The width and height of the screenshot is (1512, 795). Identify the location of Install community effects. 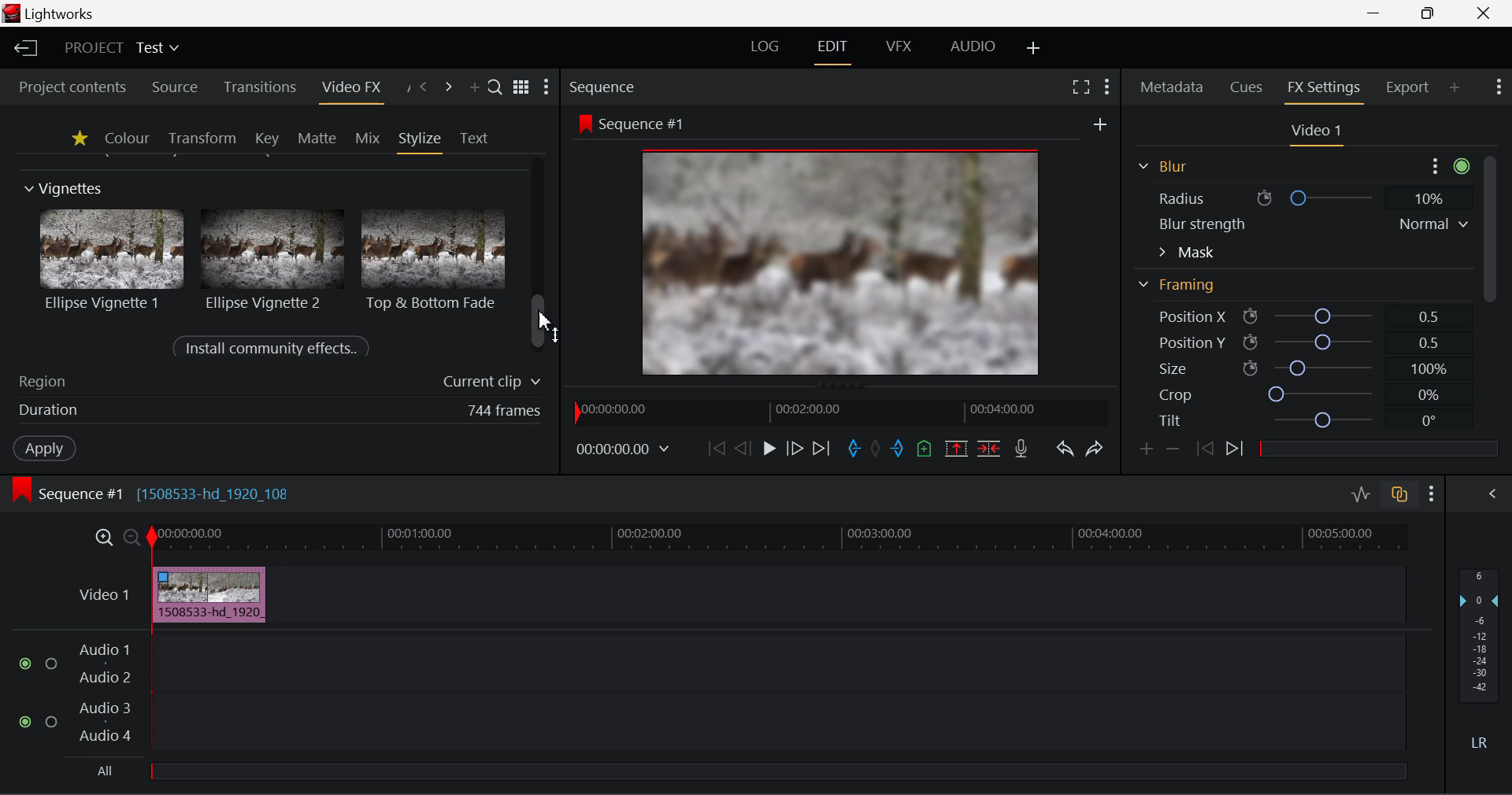
(275, 349).